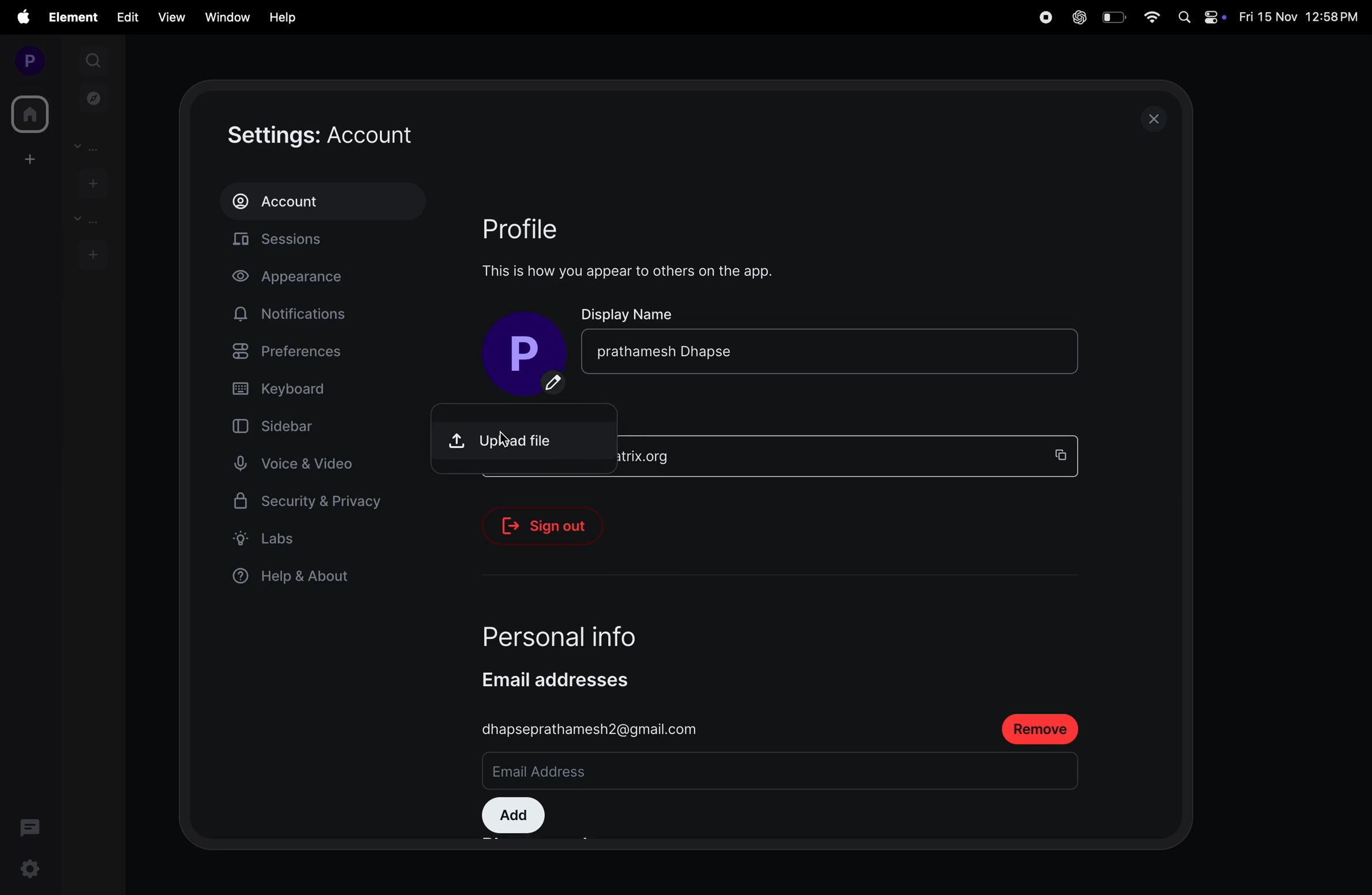 This screenshot has height=895, width=1372. What do you see at coordinates (91, 182) in the screenshot?
I see `add people` at bounding box center [91, 182].